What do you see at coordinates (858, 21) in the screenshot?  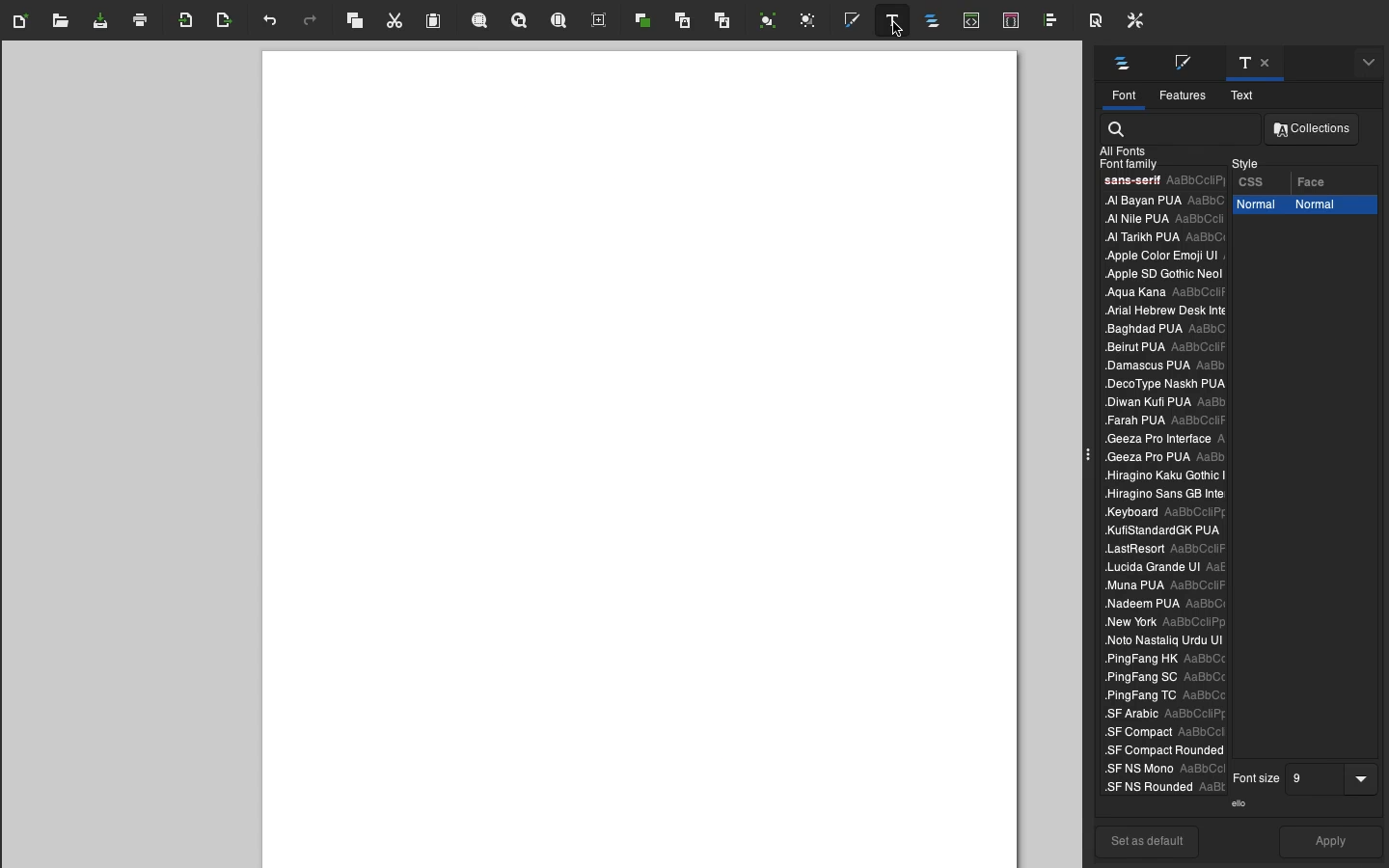 I see `Fill and stroke` at bounding box center [858, 21].